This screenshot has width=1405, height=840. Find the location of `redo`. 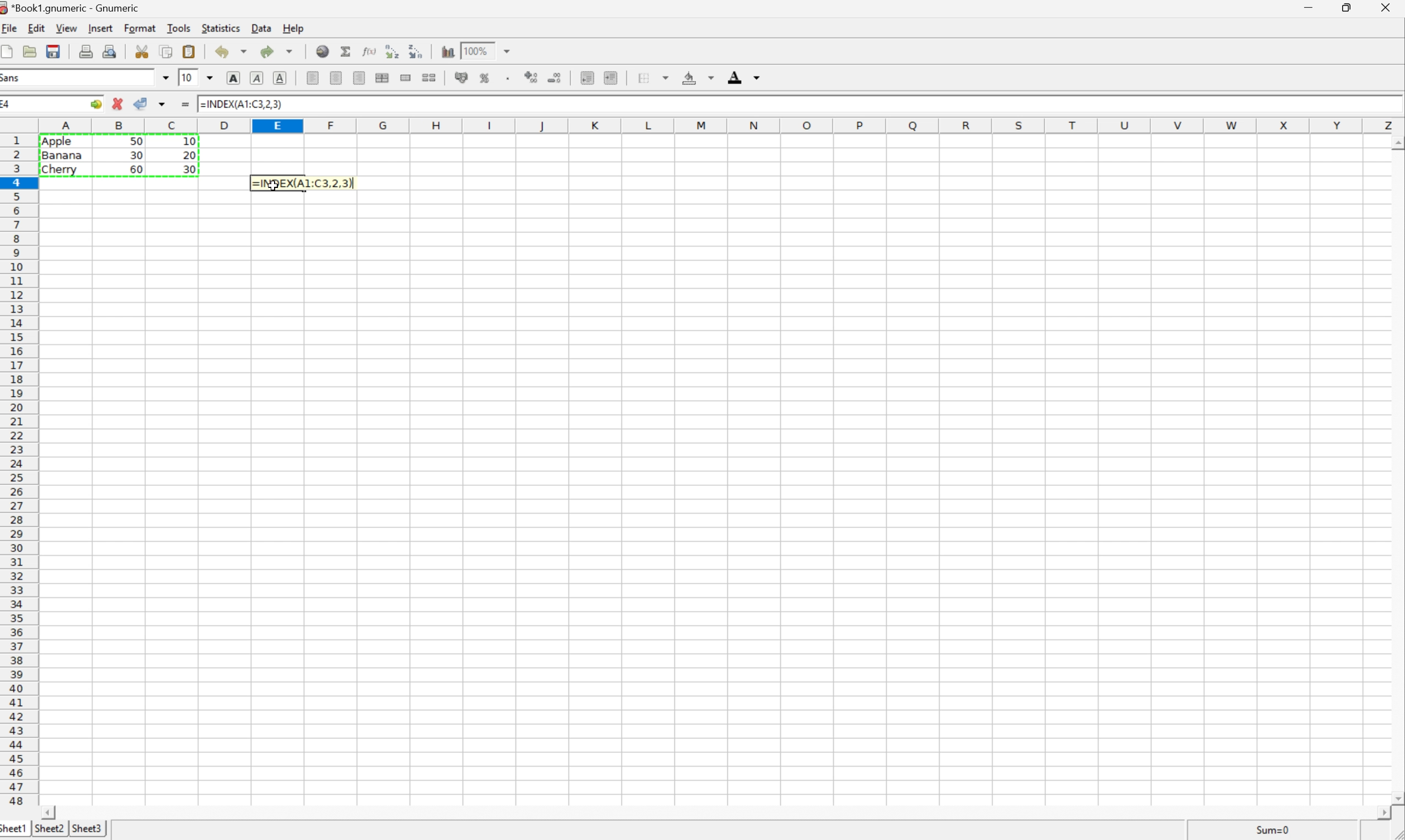

redo is located at coordinates (277, 52).